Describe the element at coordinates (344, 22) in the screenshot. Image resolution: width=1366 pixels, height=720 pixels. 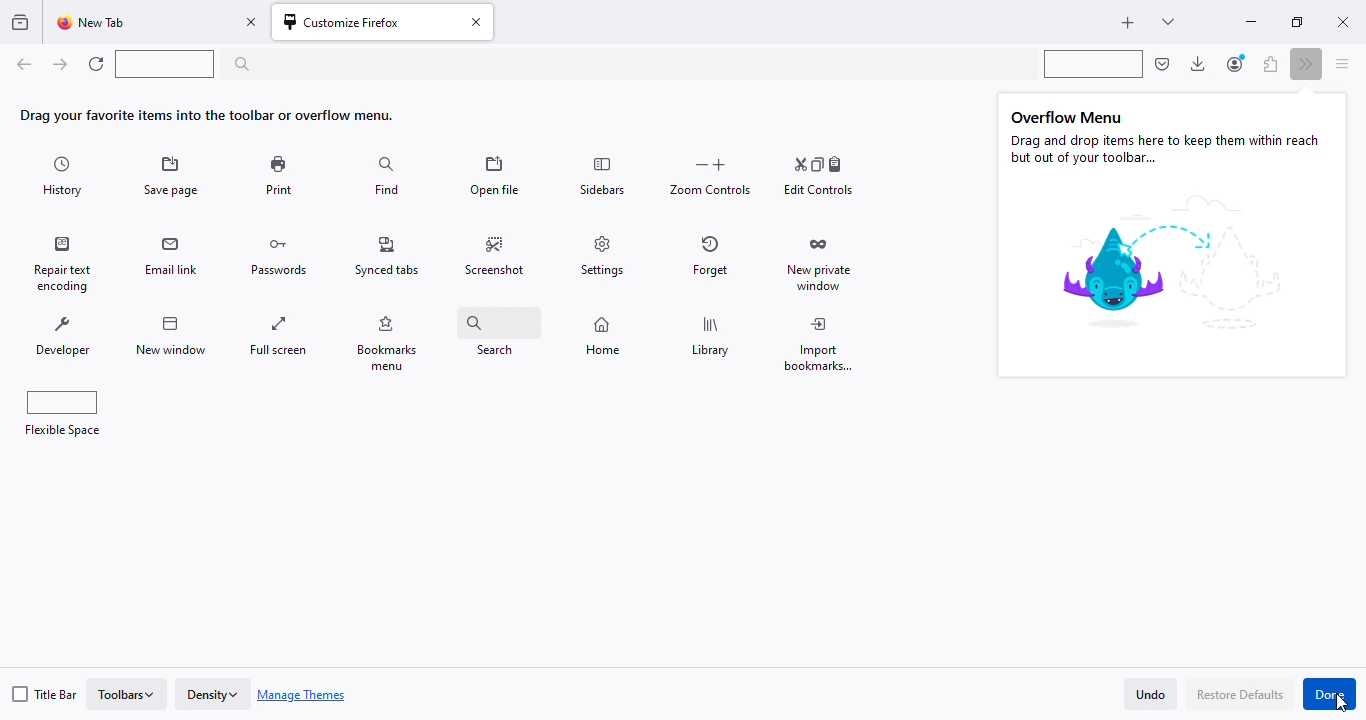
I see `customize firefox` at that location.